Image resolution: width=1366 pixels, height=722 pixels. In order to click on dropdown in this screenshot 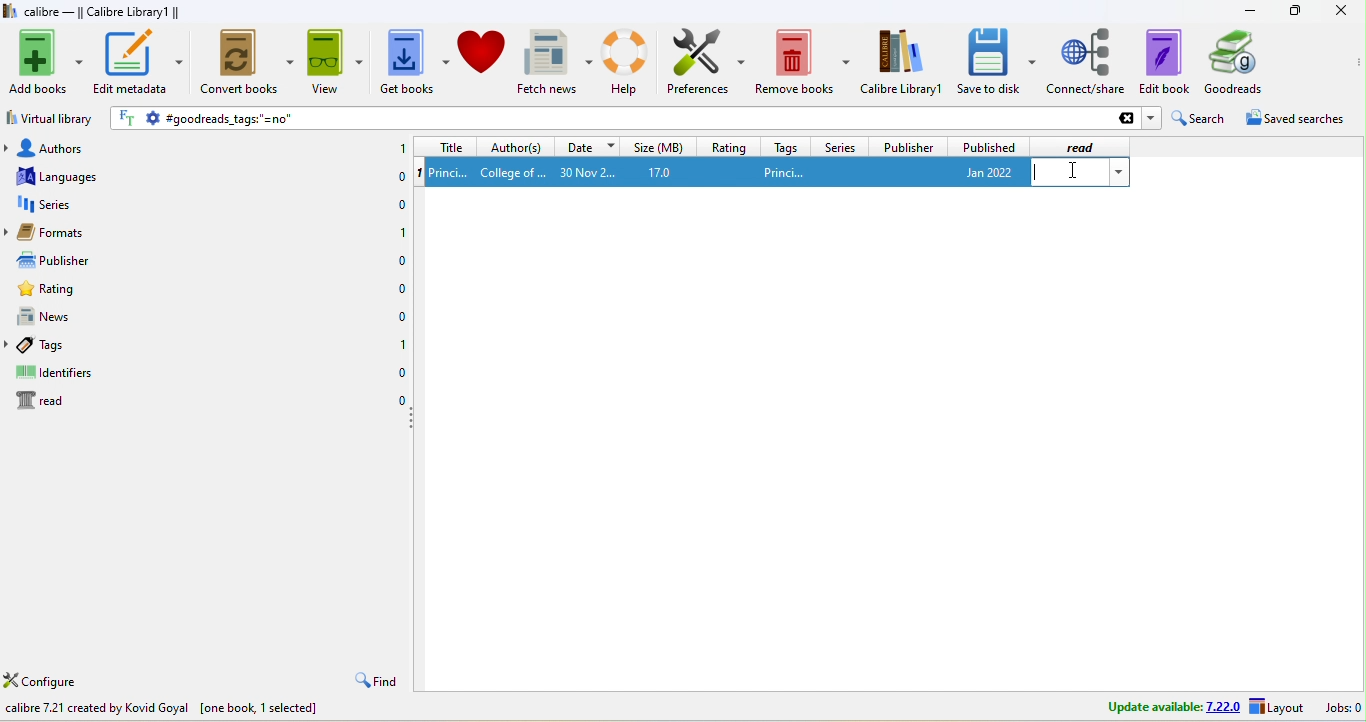, I will do `click(1151, 118)`.